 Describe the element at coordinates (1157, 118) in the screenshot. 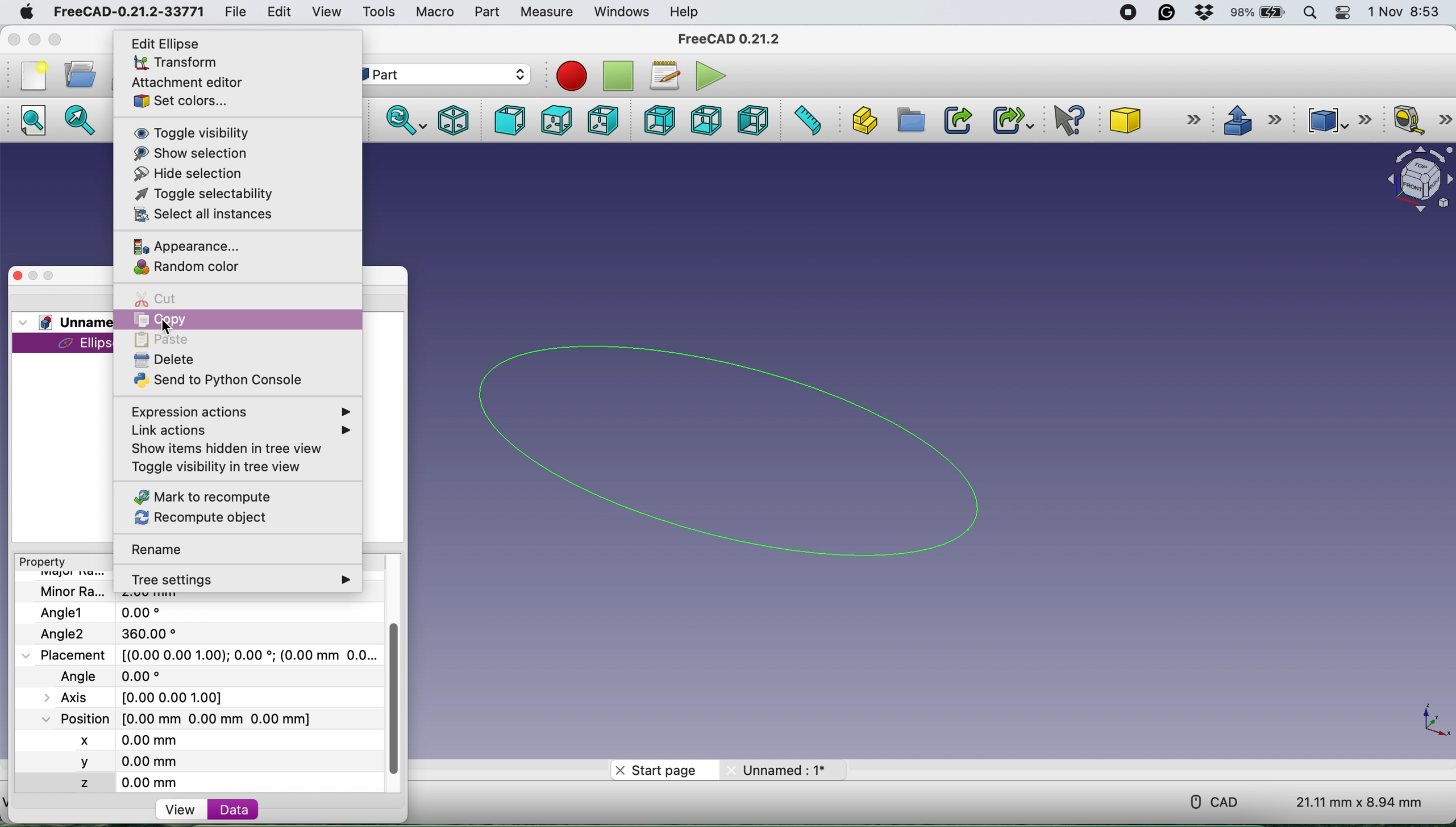

I see `cube` at that location.